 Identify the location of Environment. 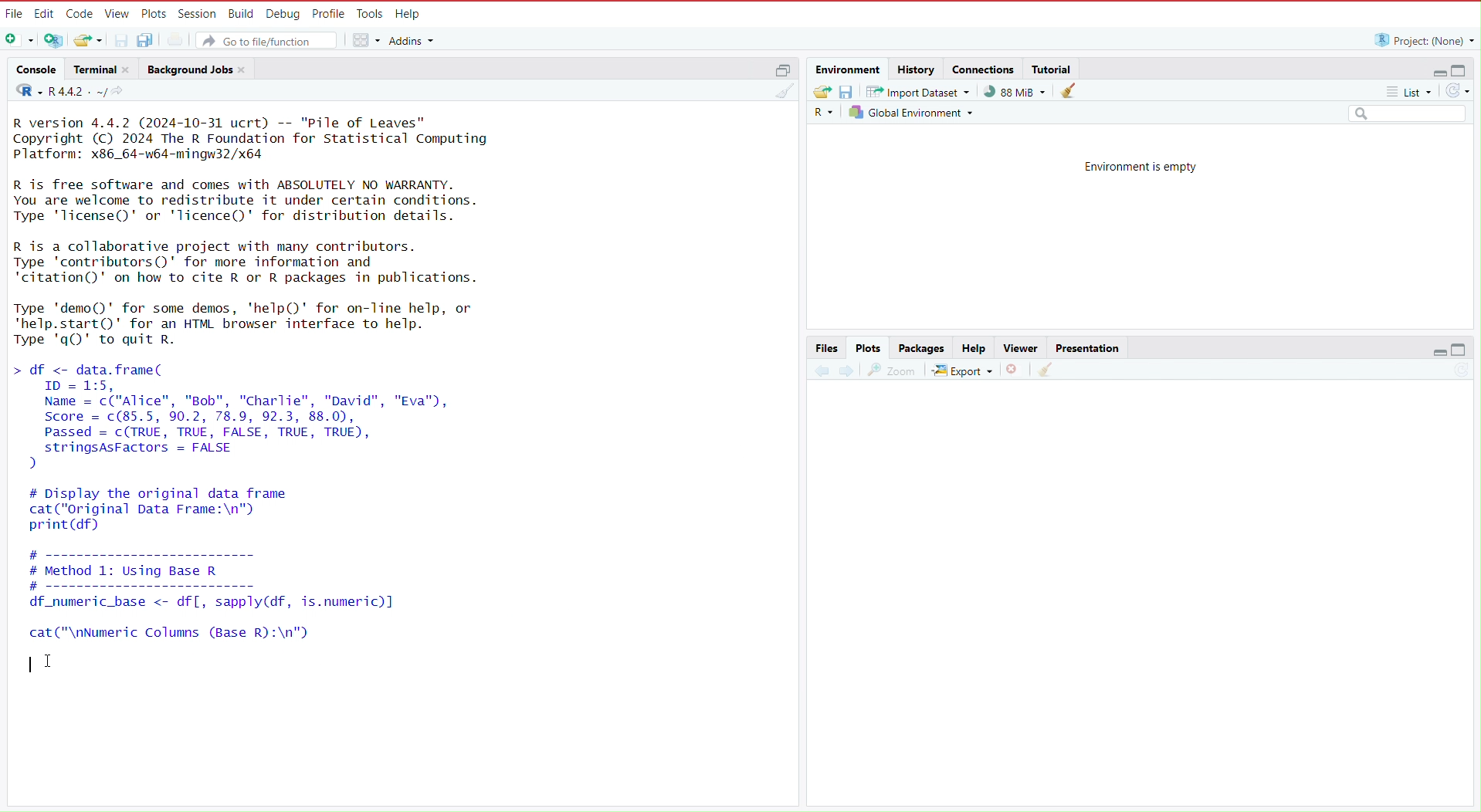
(849, 67).